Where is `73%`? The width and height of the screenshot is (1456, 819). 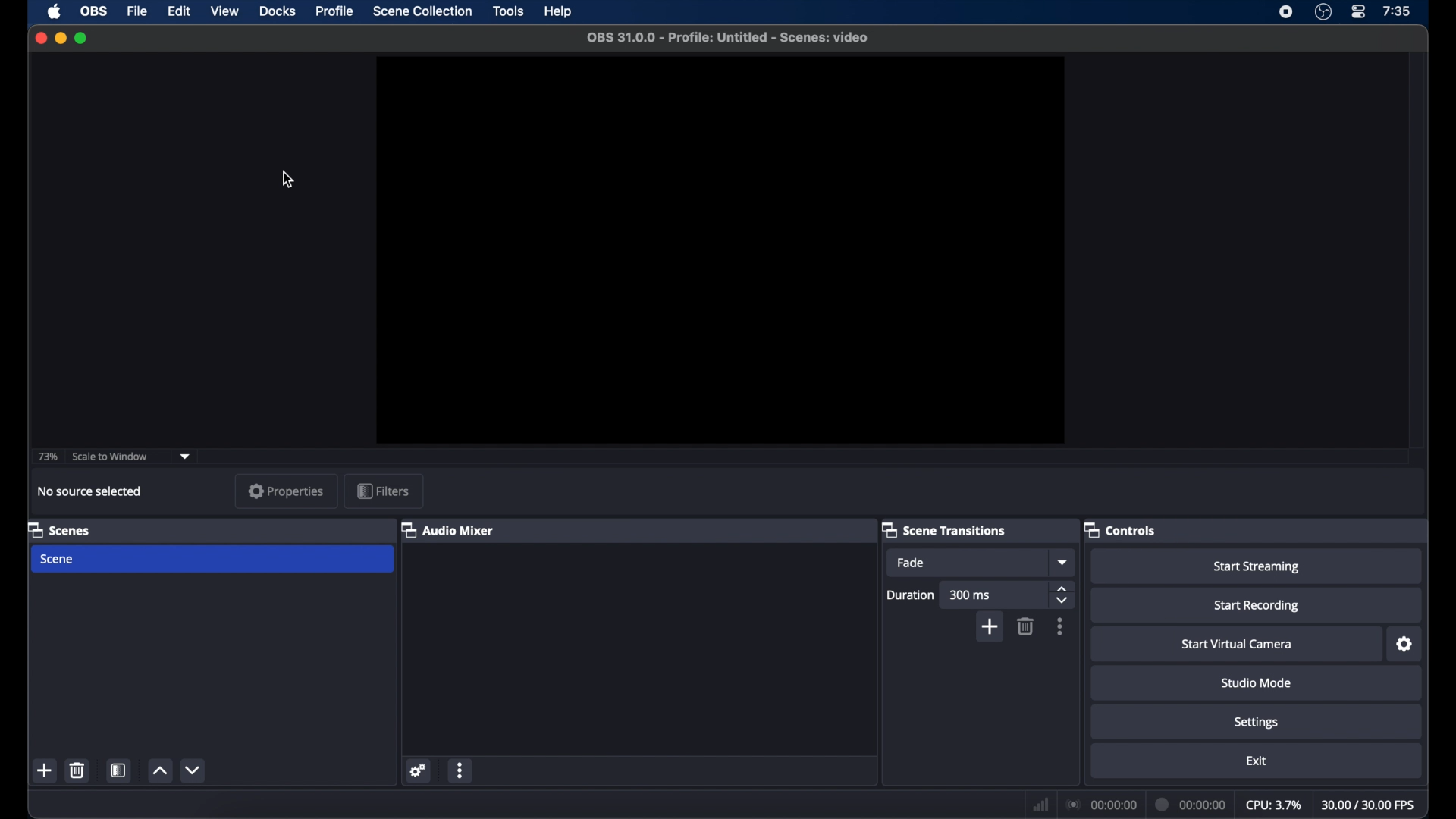
73% is located at coordinates (49, 457).